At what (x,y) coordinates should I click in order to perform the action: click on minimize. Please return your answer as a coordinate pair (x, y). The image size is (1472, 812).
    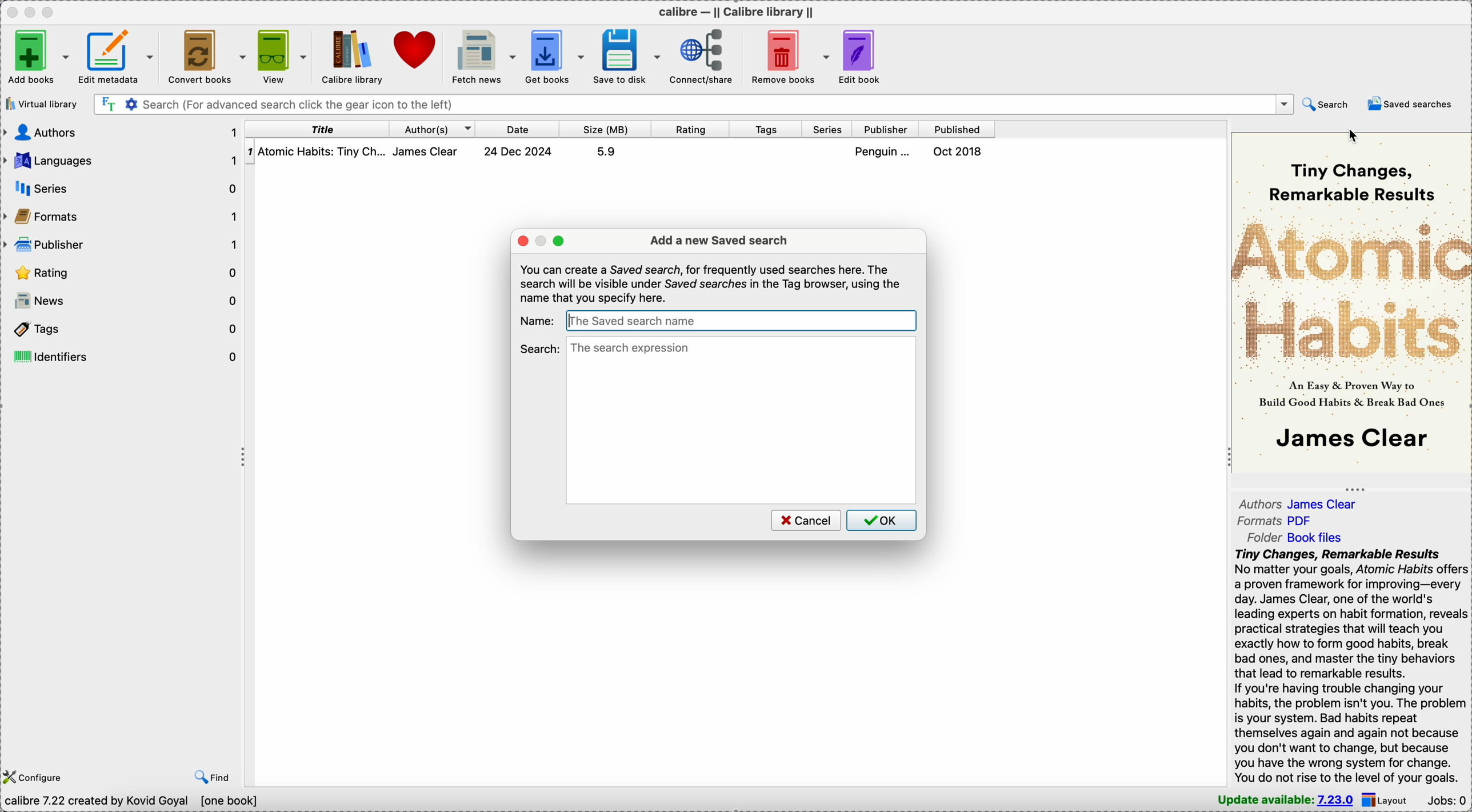
    Looking at the image, I should click on (542, 241).